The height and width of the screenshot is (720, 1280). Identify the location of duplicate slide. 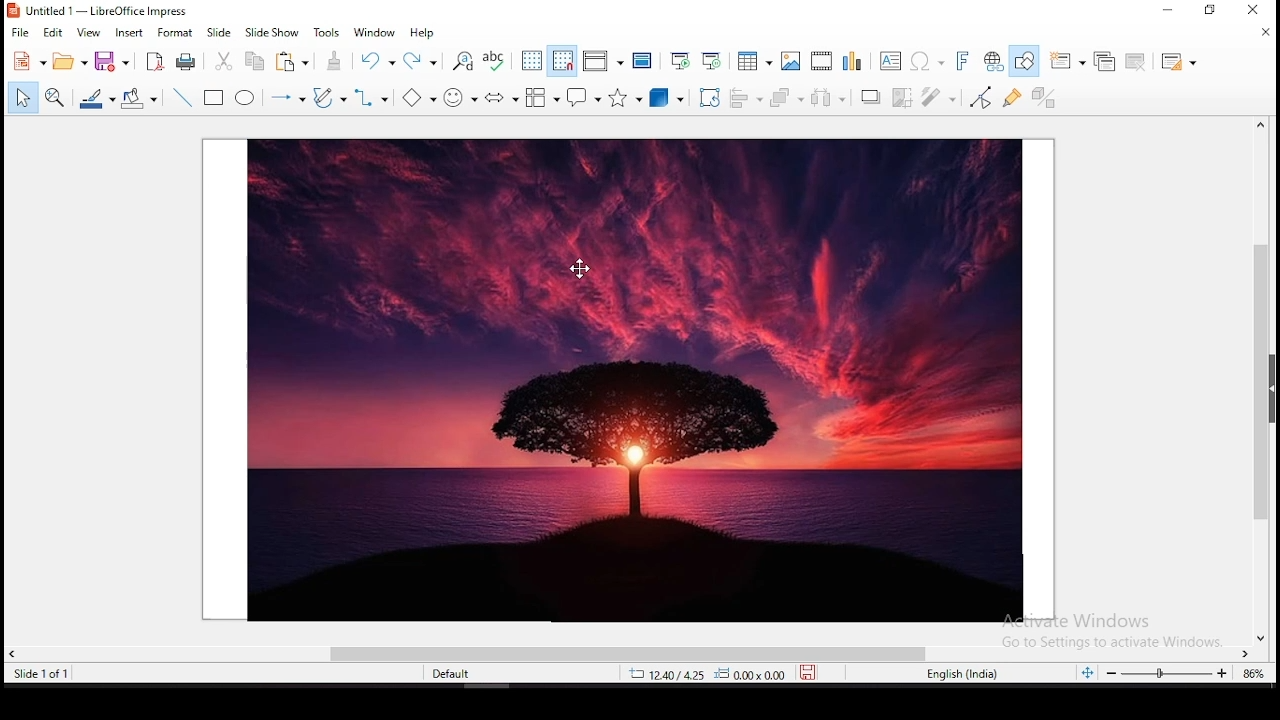
(1102, 60).